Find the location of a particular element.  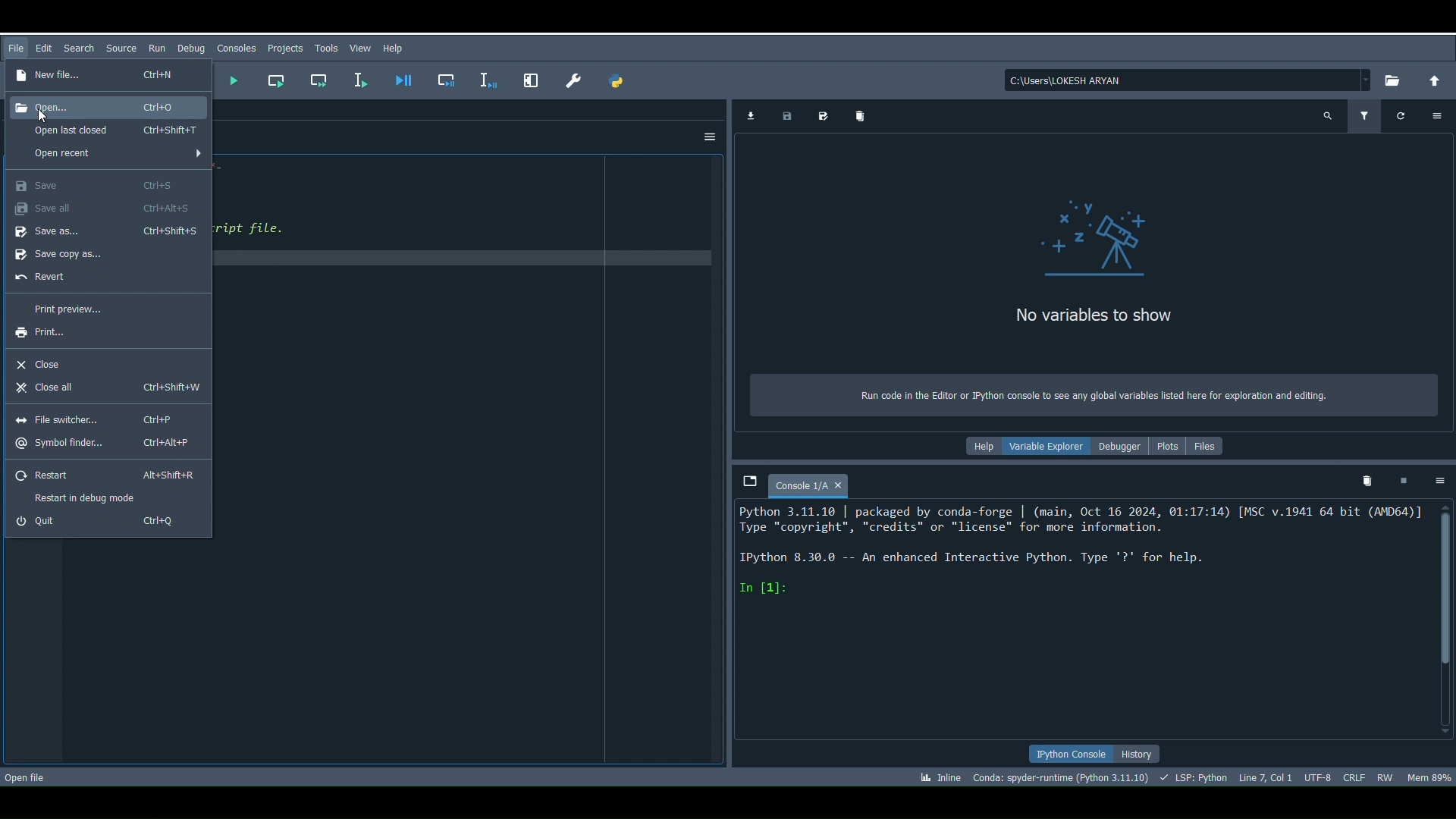

Version is located at coordinates (1062, 780).